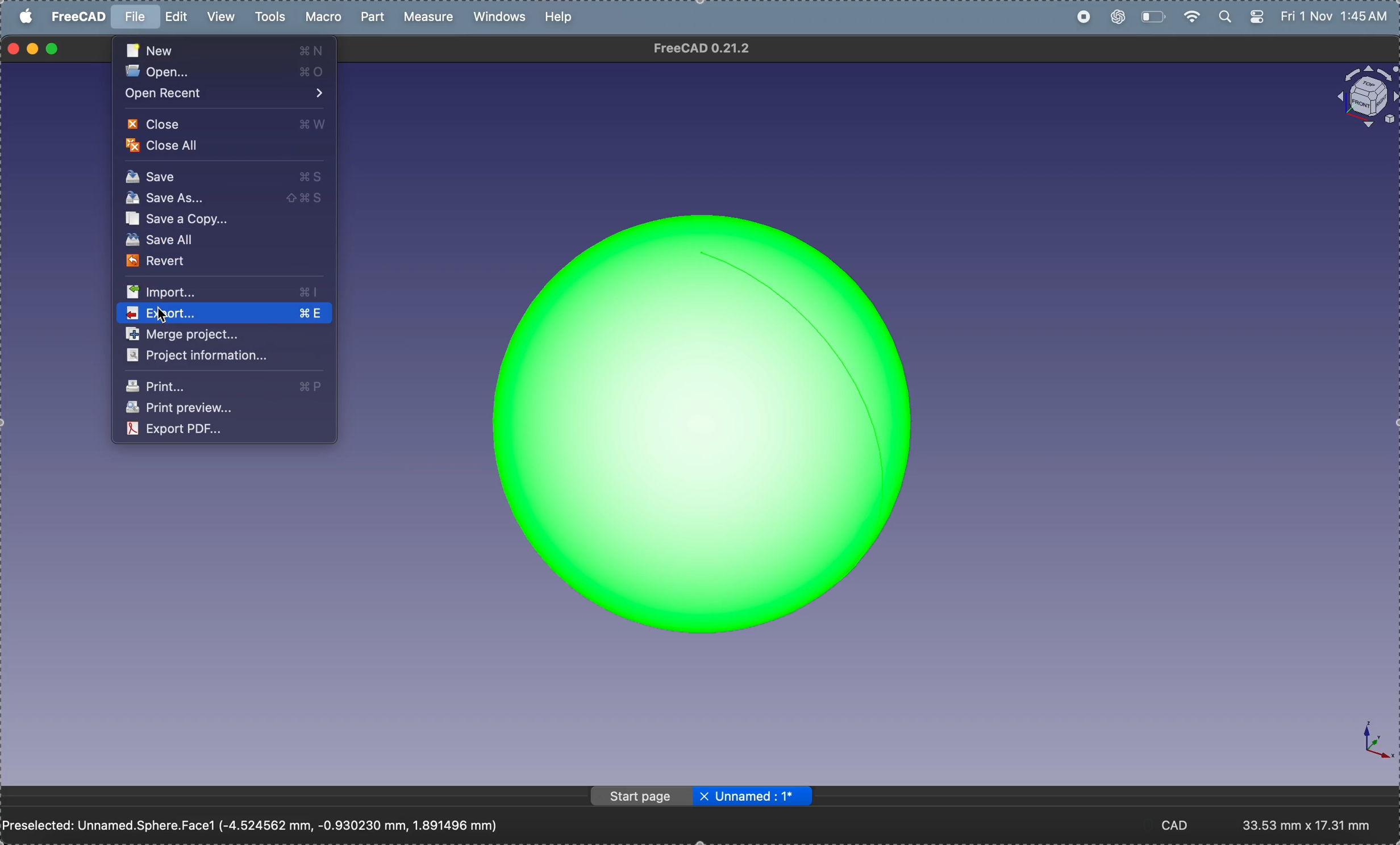  What do you see at coordinates (228, 123) in the screenshot?
I see `close` at bounding box center [228, 123].